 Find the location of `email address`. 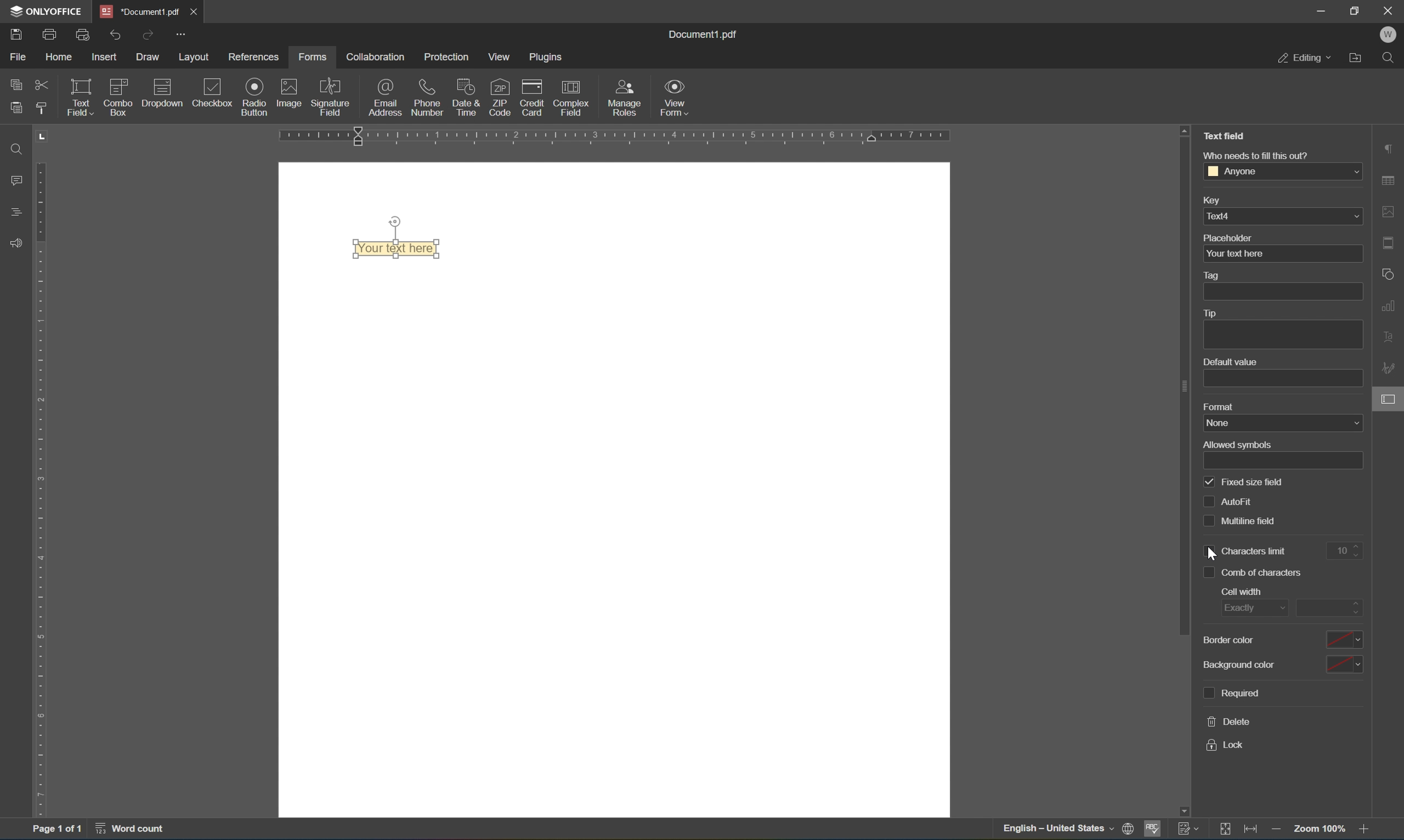

email address is located at coordinates (386, 97).